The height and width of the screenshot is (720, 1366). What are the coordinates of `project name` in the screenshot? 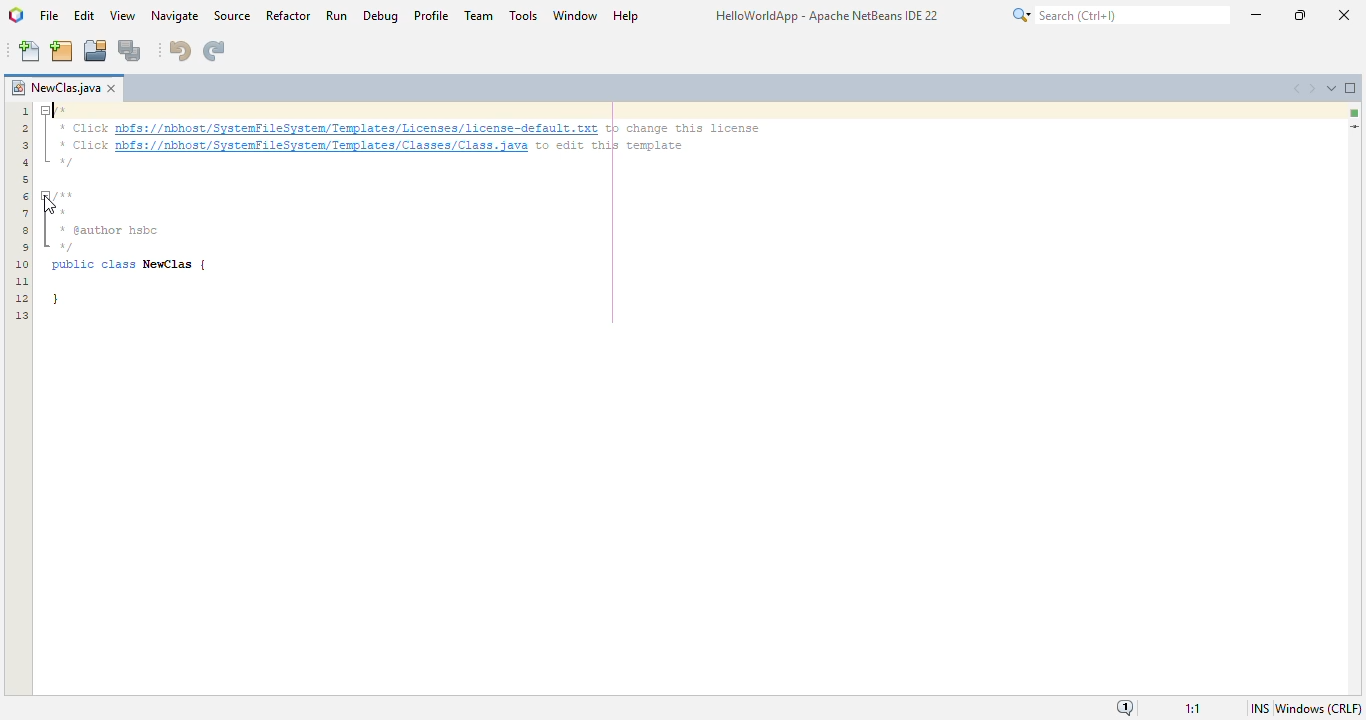 It's located at (55, 88).